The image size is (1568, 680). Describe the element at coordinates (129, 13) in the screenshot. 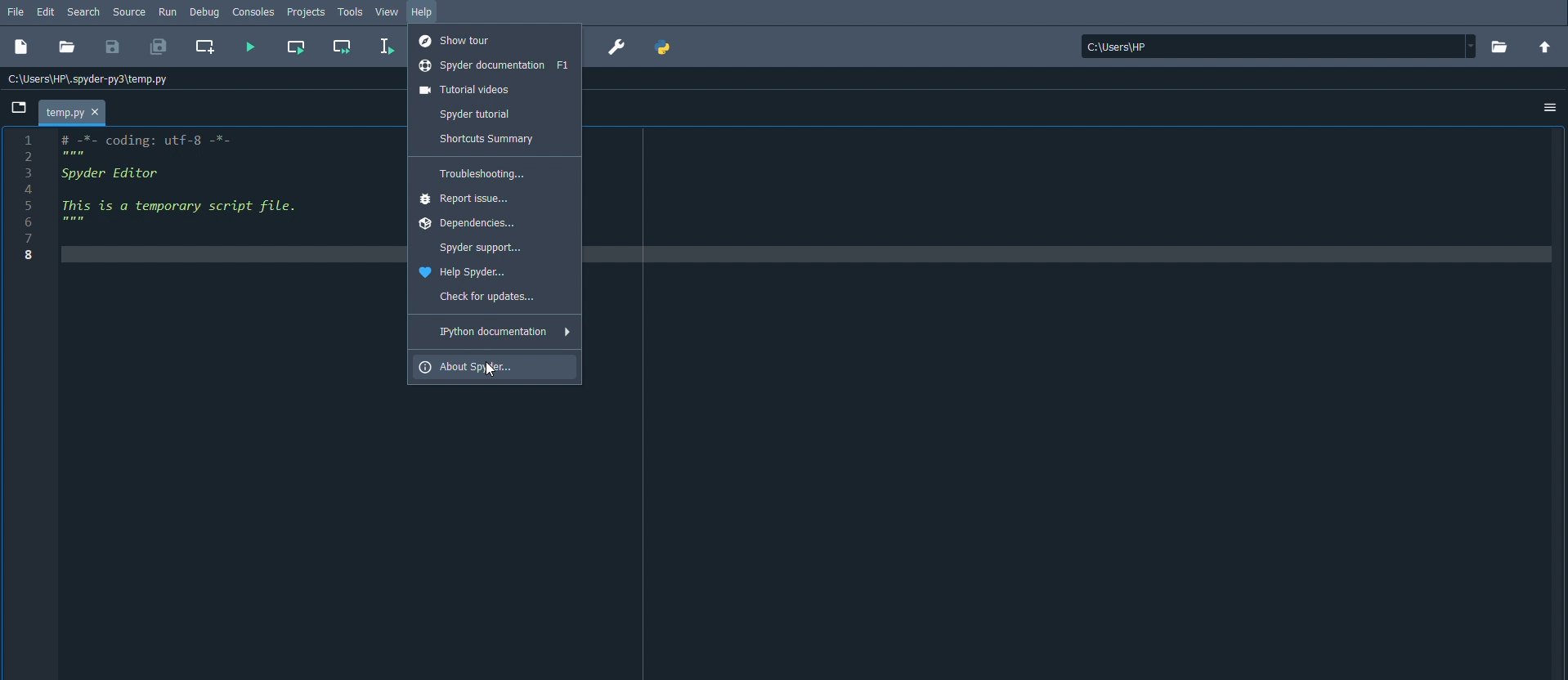

I see `Source` at that location.